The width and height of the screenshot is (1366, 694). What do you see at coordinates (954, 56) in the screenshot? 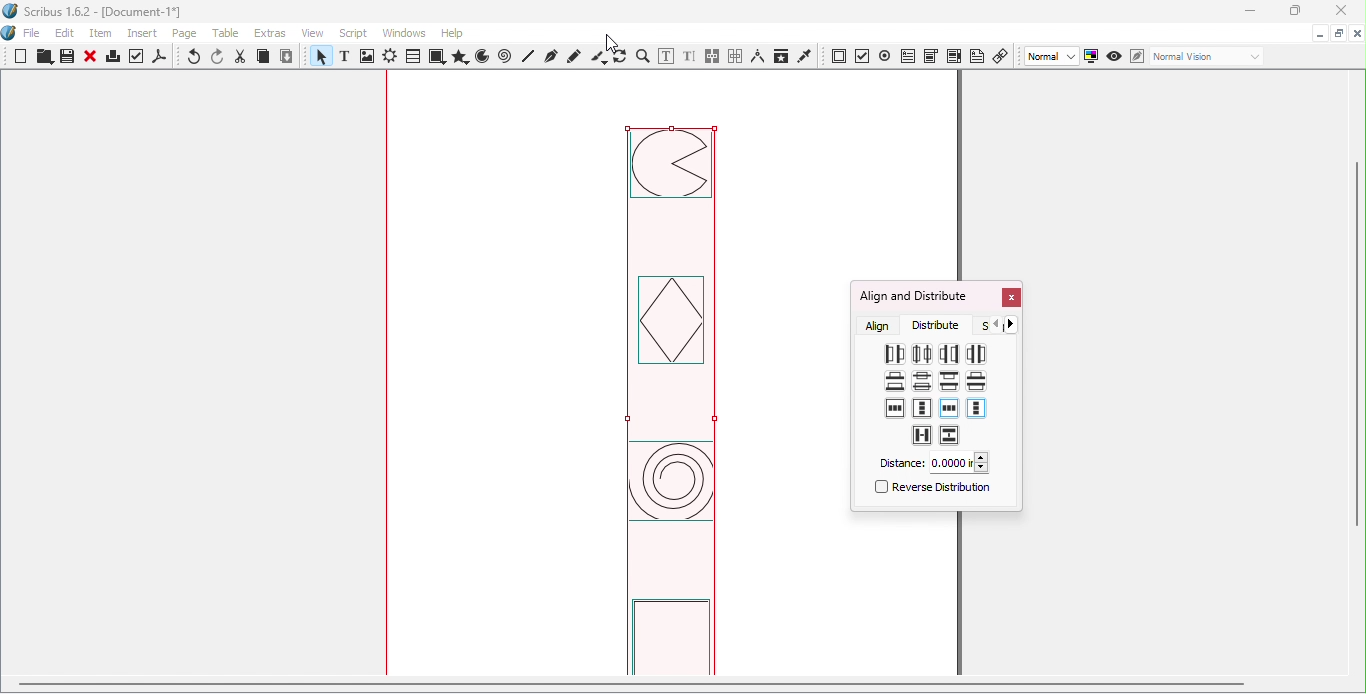
I see `PDF list box` at bounding box center [954, 56].